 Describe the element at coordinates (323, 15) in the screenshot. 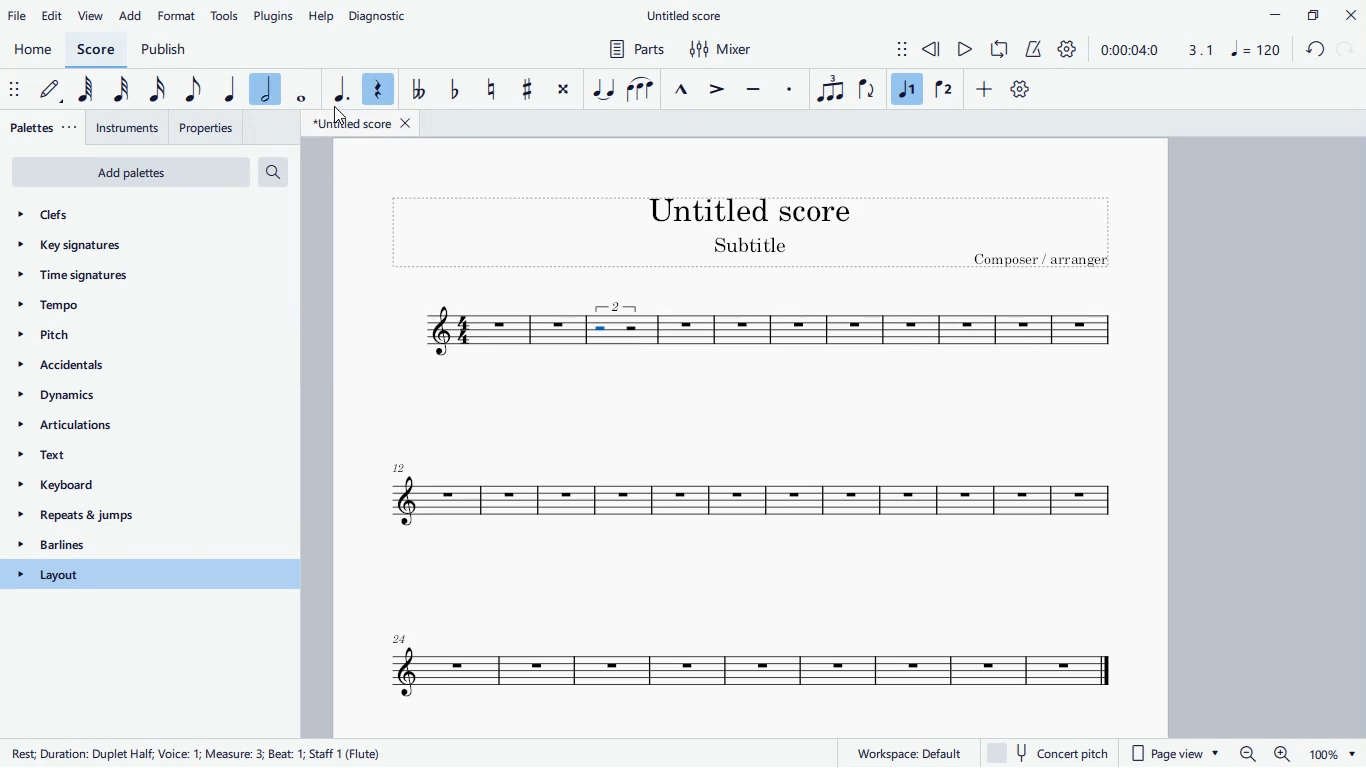

I see `help` at that location.